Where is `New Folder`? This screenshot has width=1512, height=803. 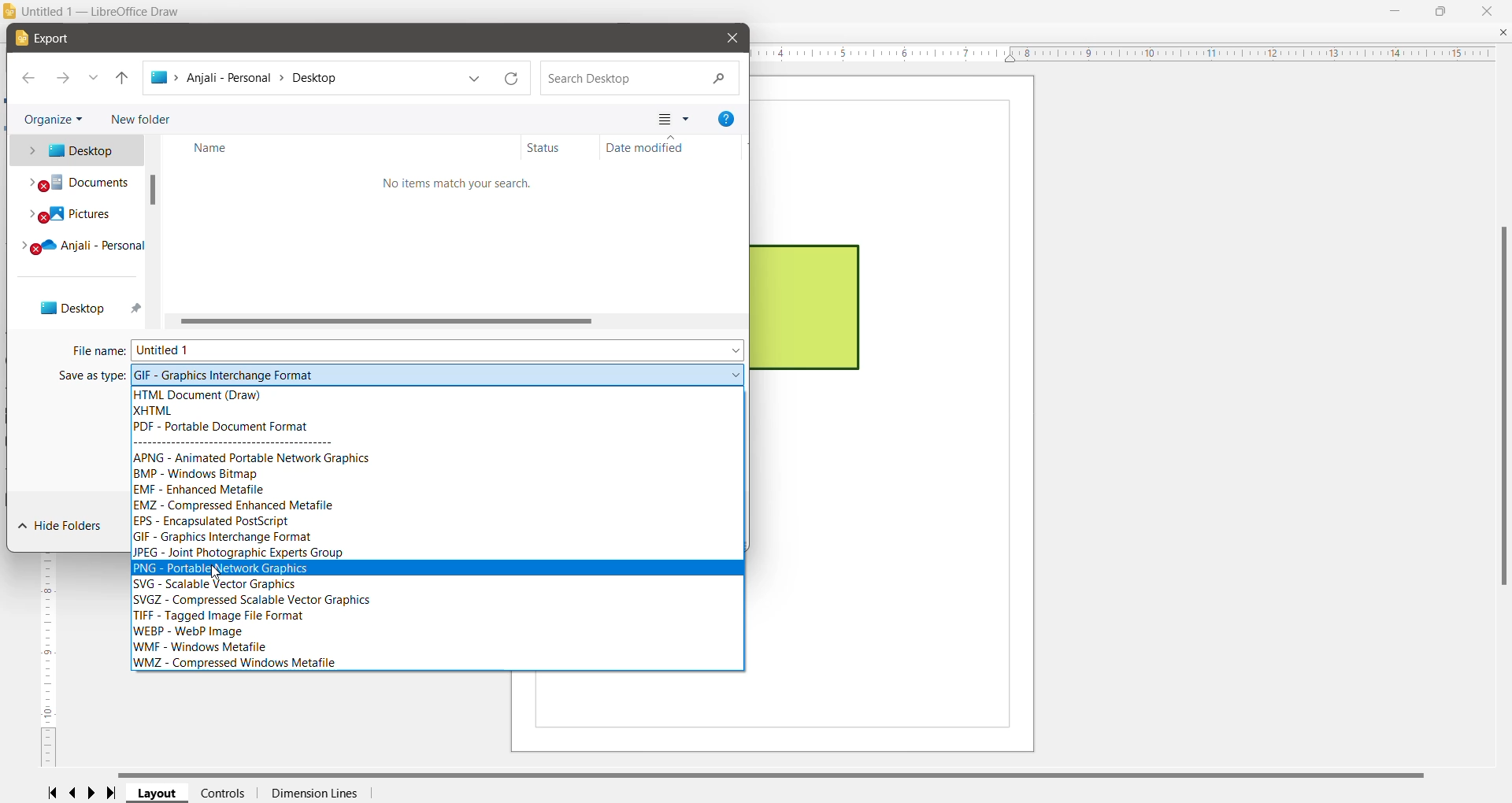
New Folder is located at coordinates (139, 117).